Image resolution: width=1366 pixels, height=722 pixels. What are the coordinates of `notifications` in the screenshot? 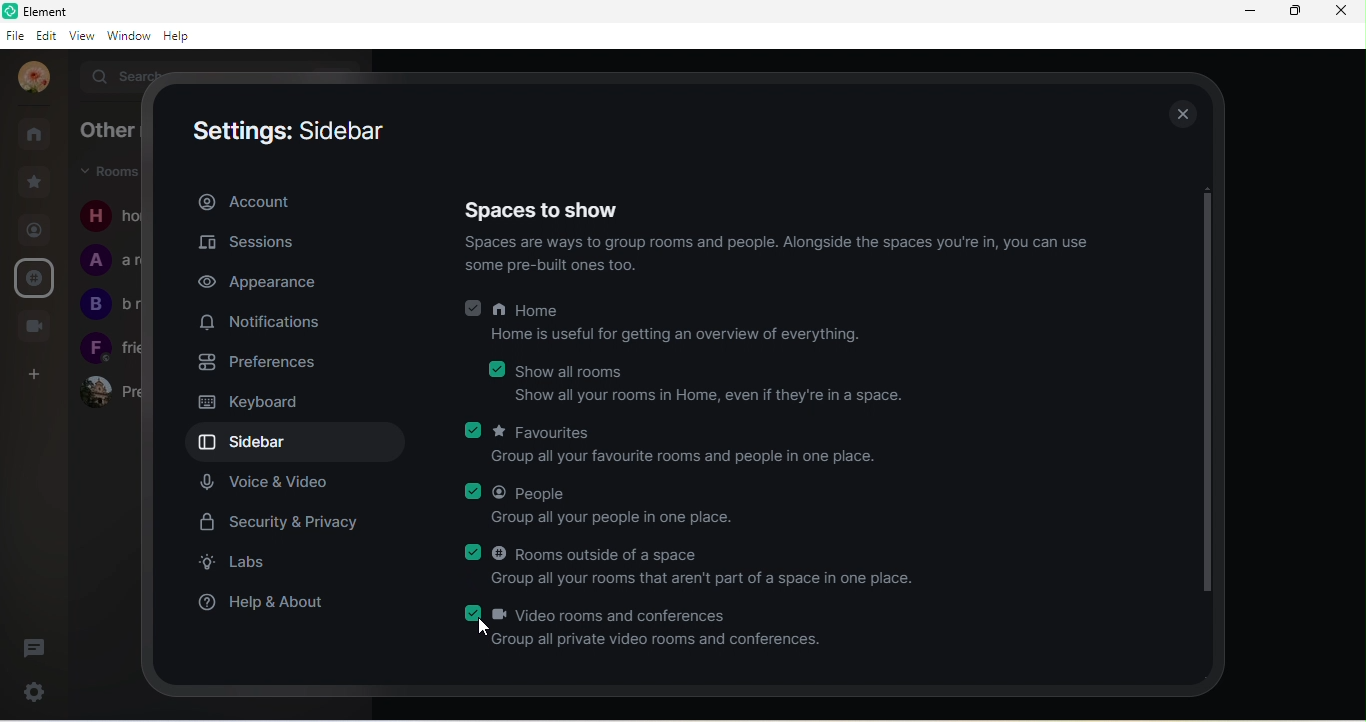 It's located at (259, 324).